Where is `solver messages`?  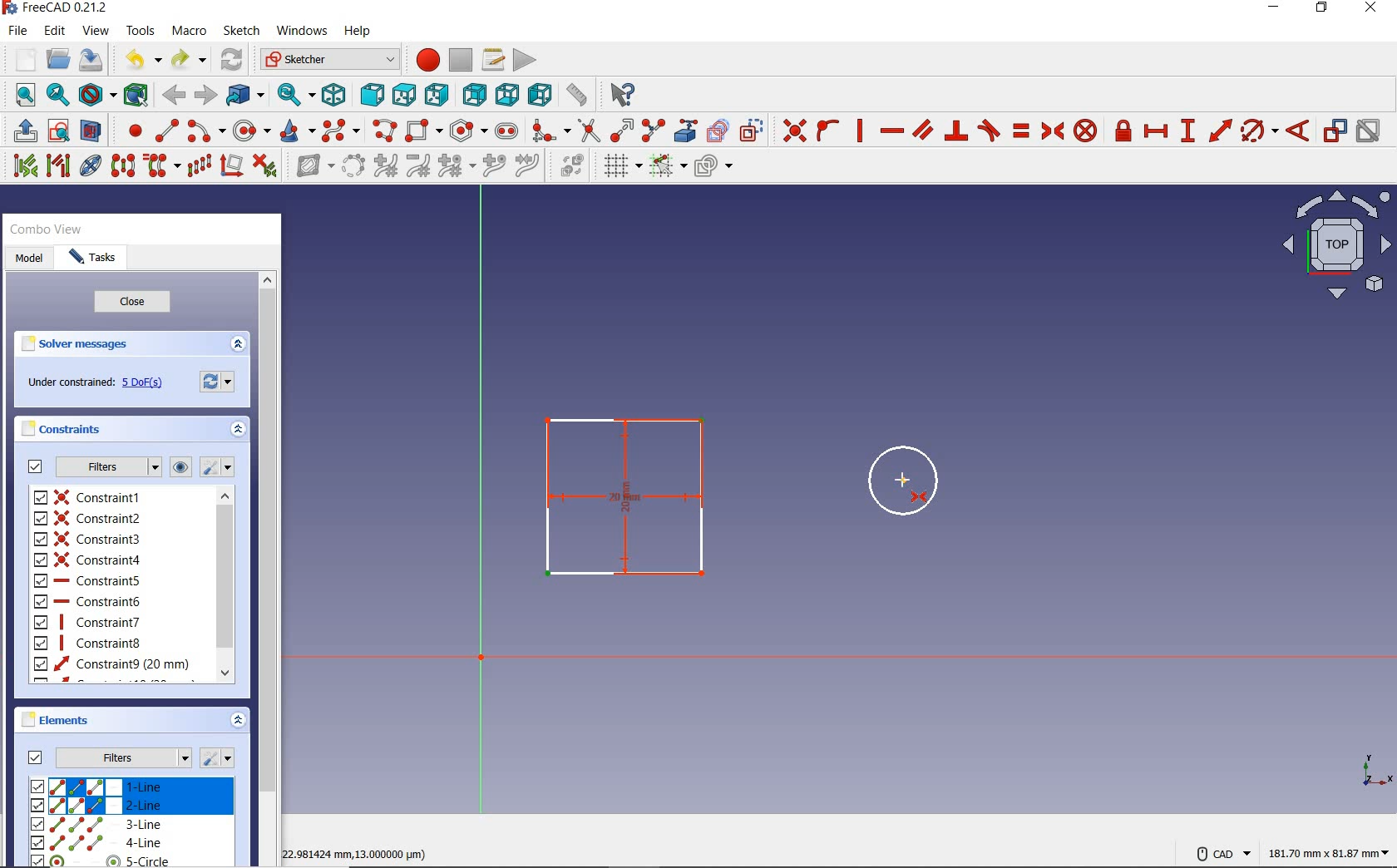 solver messages is located at coordinates (74, 345).